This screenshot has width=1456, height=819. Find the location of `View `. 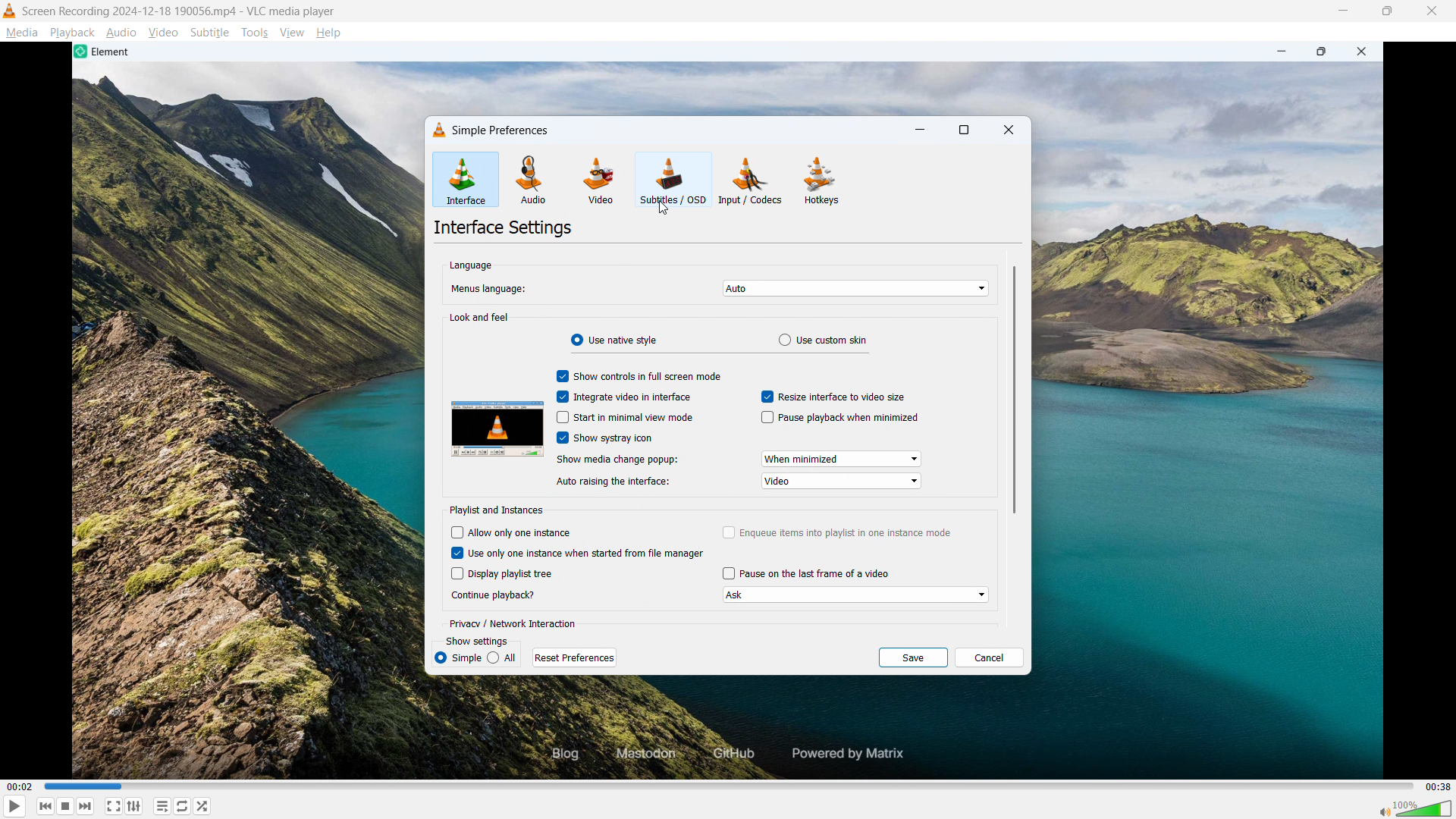

View  is located at coordinates (291, 33).